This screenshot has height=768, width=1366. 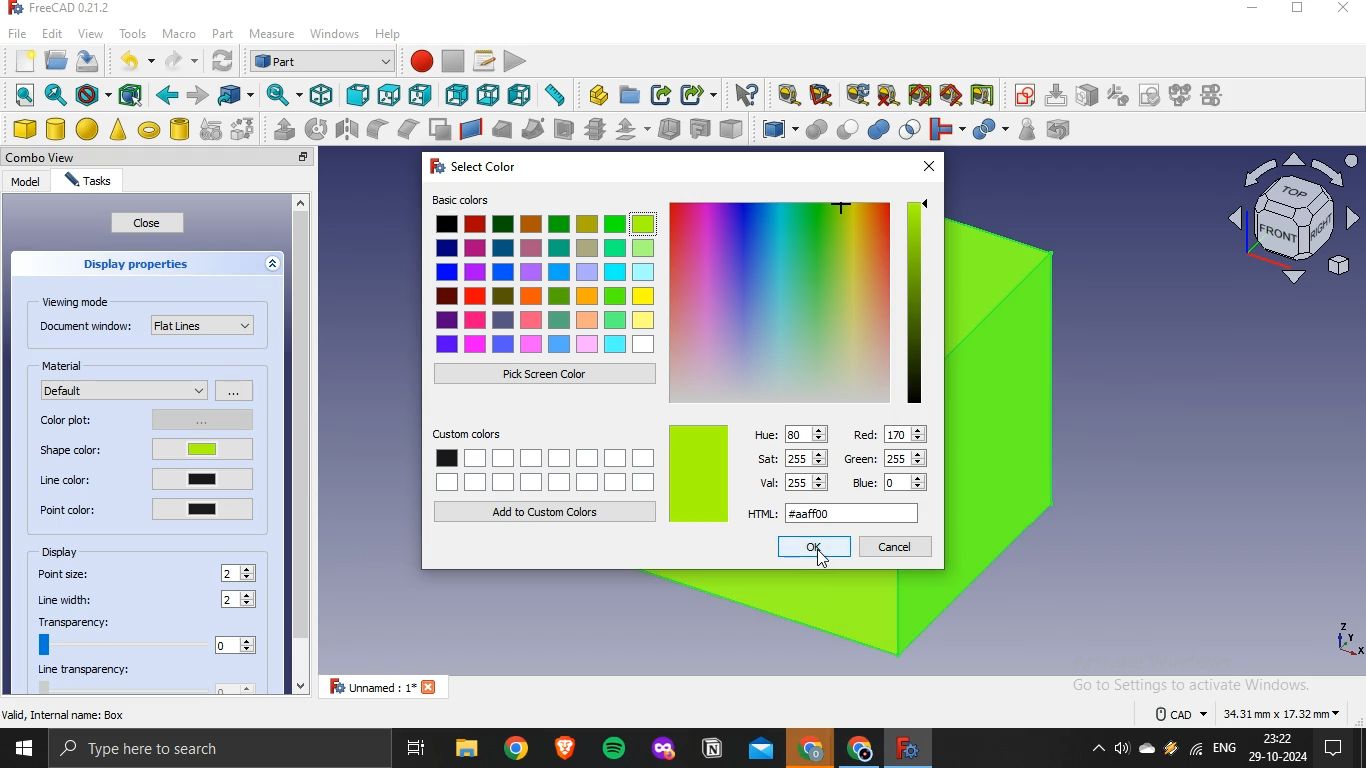 What do you see at coordinates (501, 129) in the screenshot?
I see `loft` at bounding box center [501, 129].